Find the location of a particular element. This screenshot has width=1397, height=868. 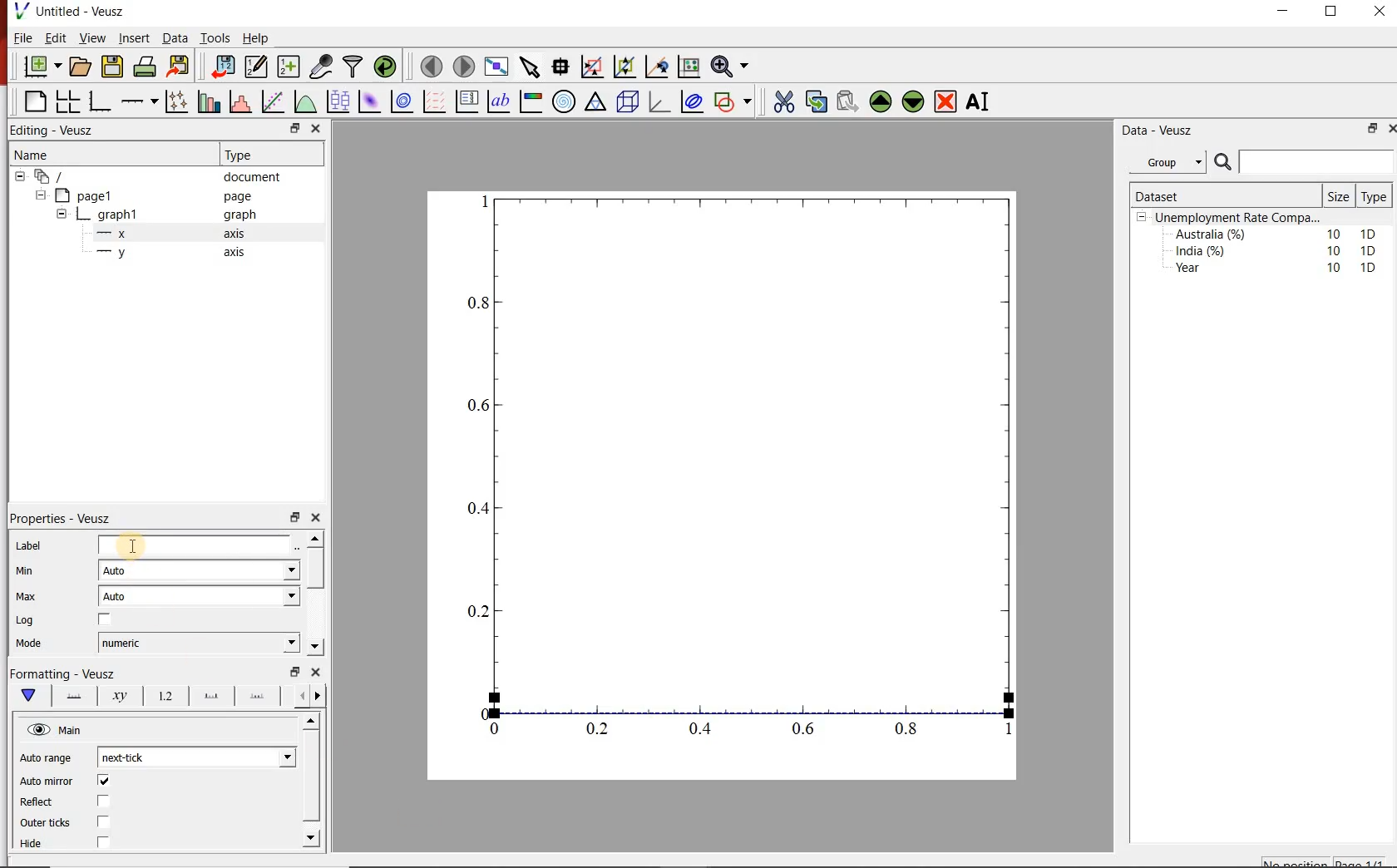

collapse is located at coordinates (19, 176).